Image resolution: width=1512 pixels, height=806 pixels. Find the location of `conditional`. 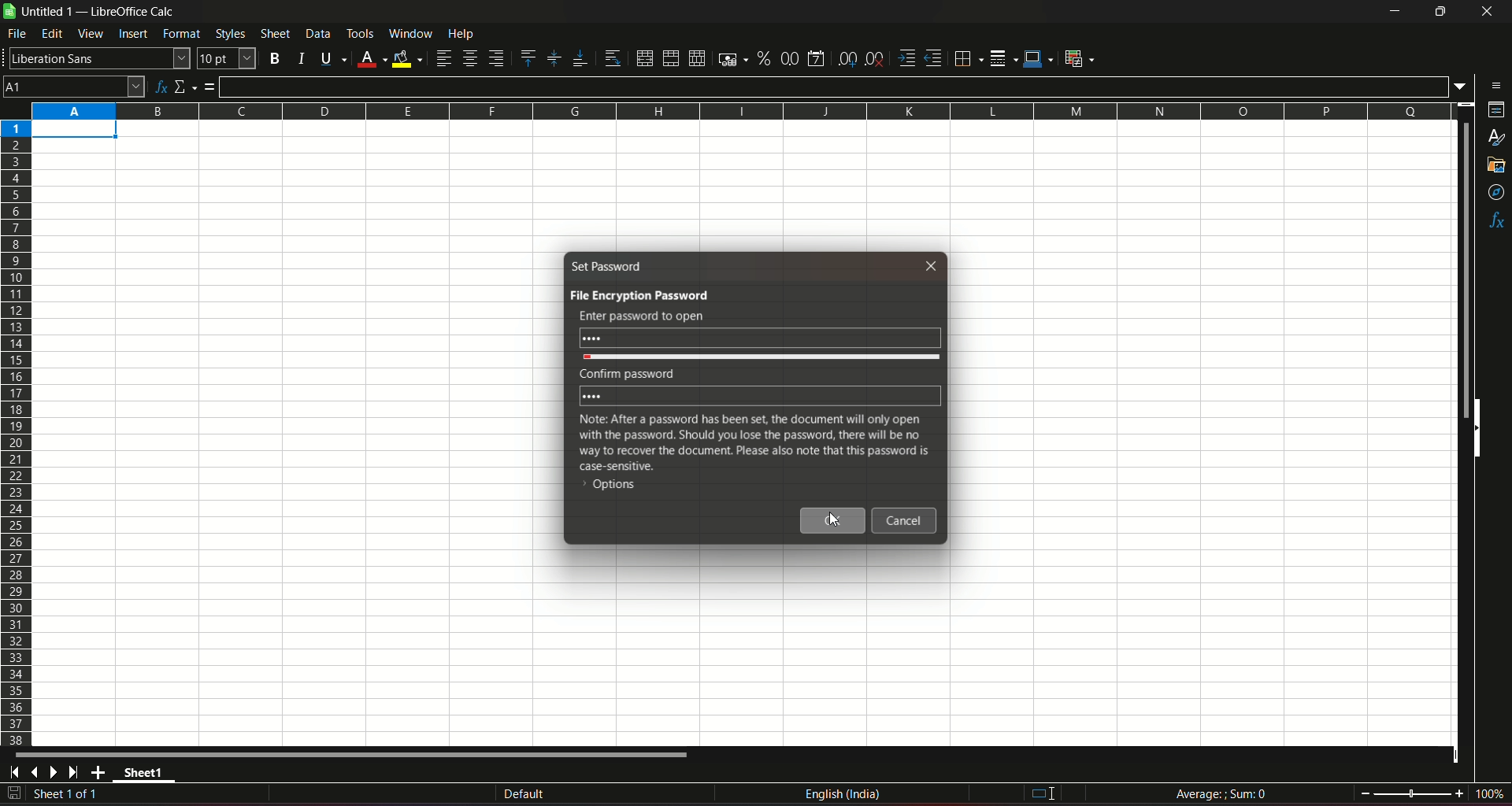

conditional is located at coordinates (1084, 59).